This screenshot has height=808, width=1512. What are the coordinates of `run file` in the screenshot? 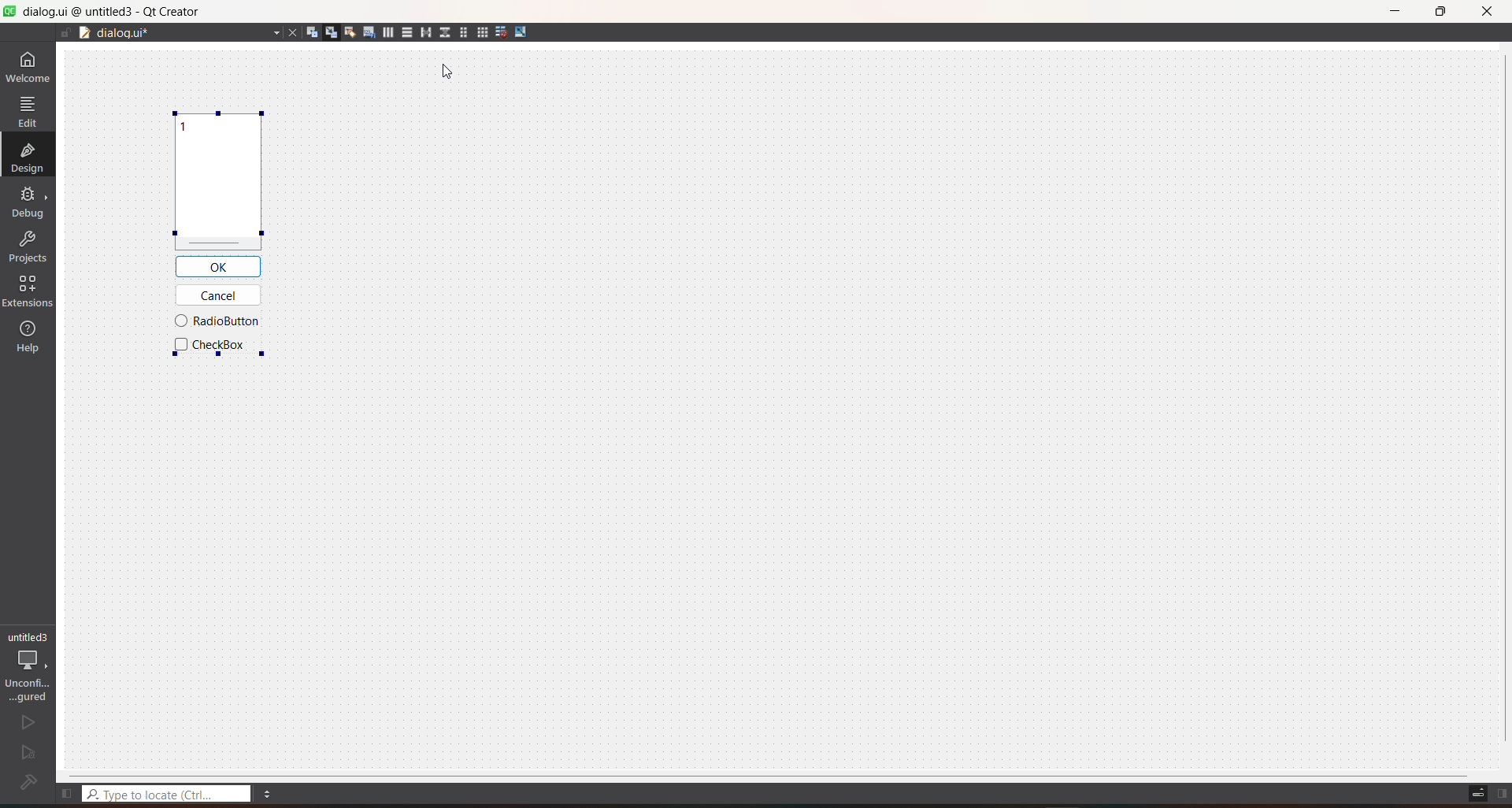 It's located at (26, 721).